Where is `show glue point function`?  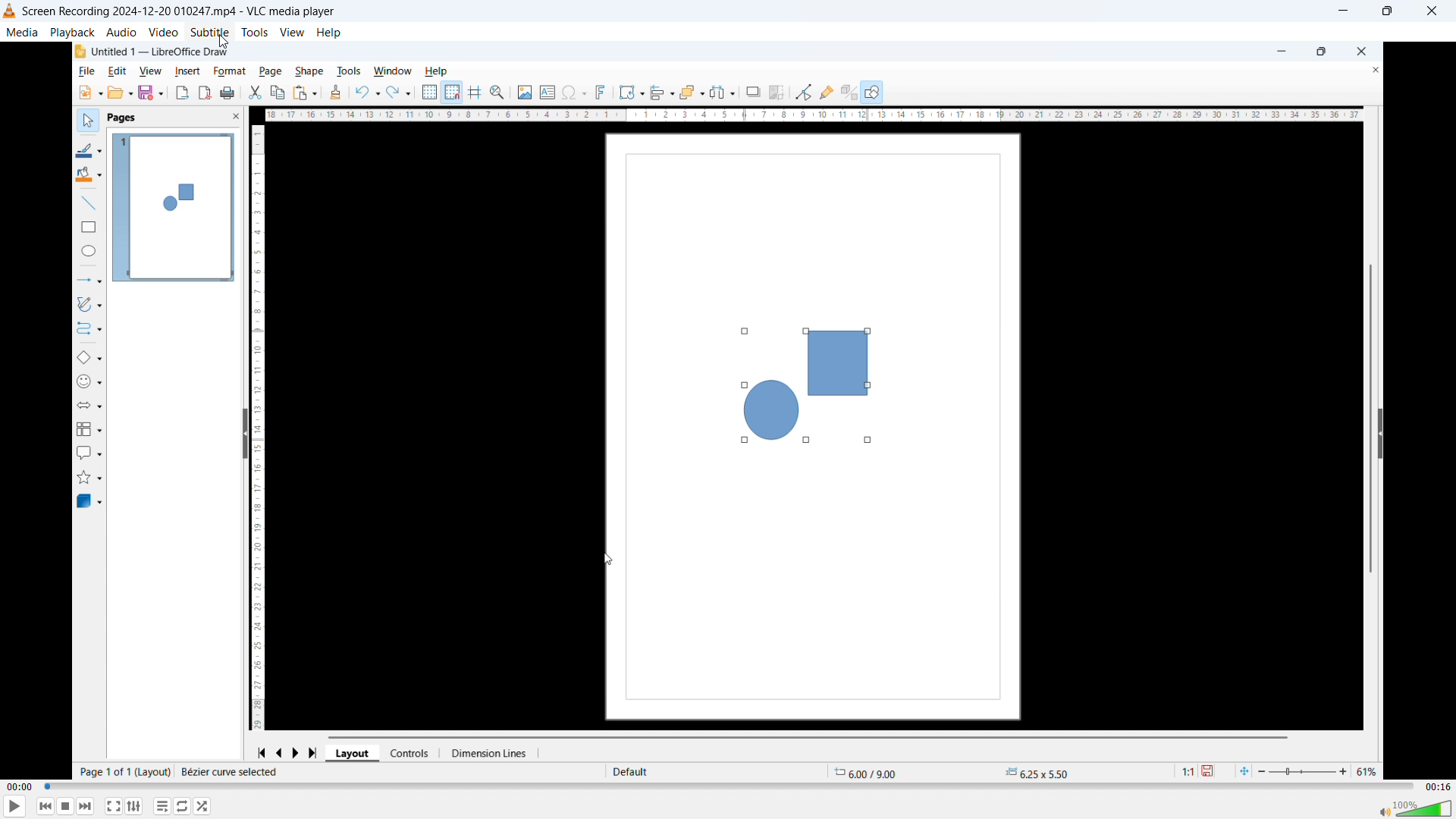
show glue point function is located at coordinates (827, 91).